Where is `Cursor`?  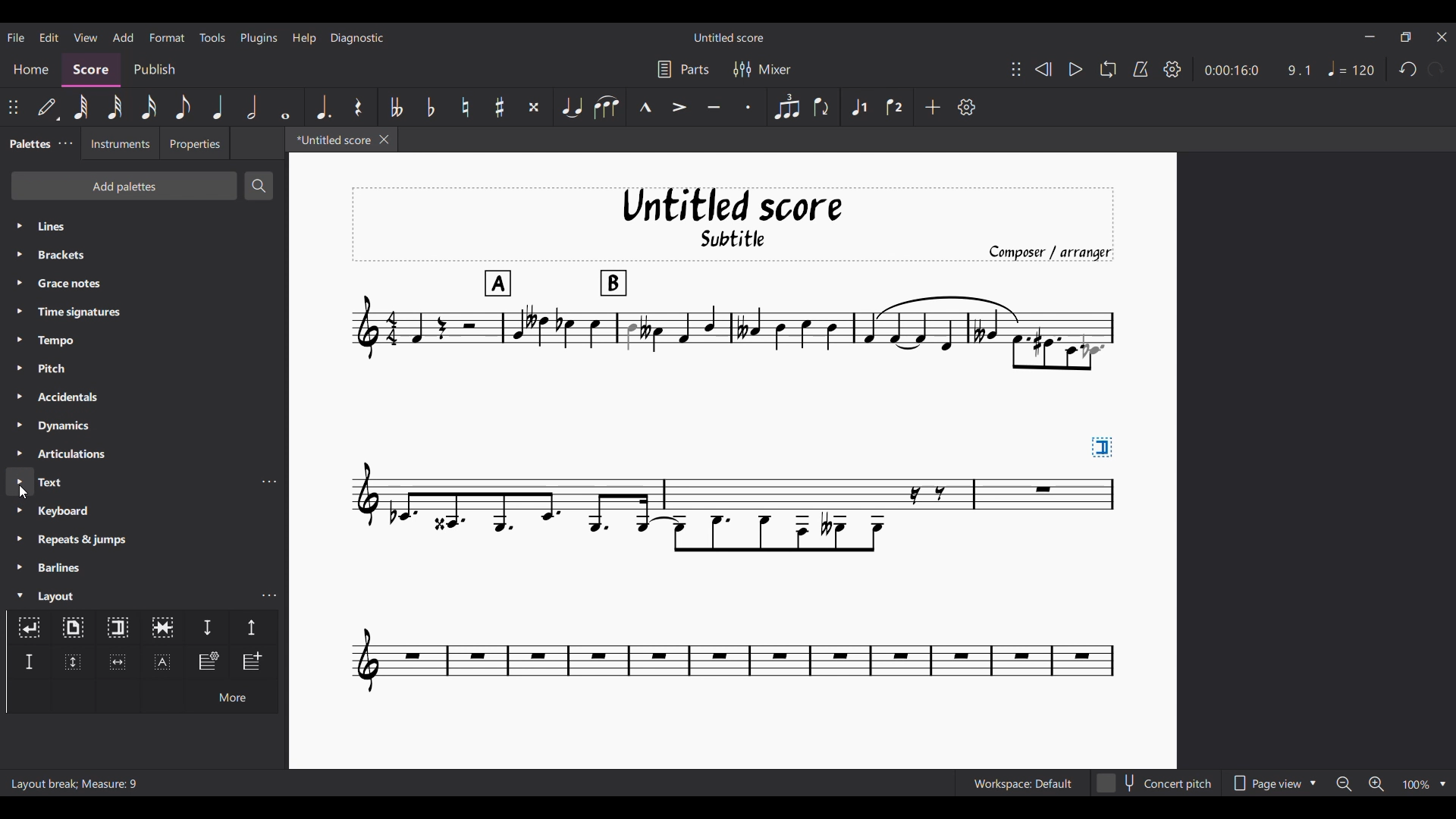 Cursor is located at coordinates (24, 491).